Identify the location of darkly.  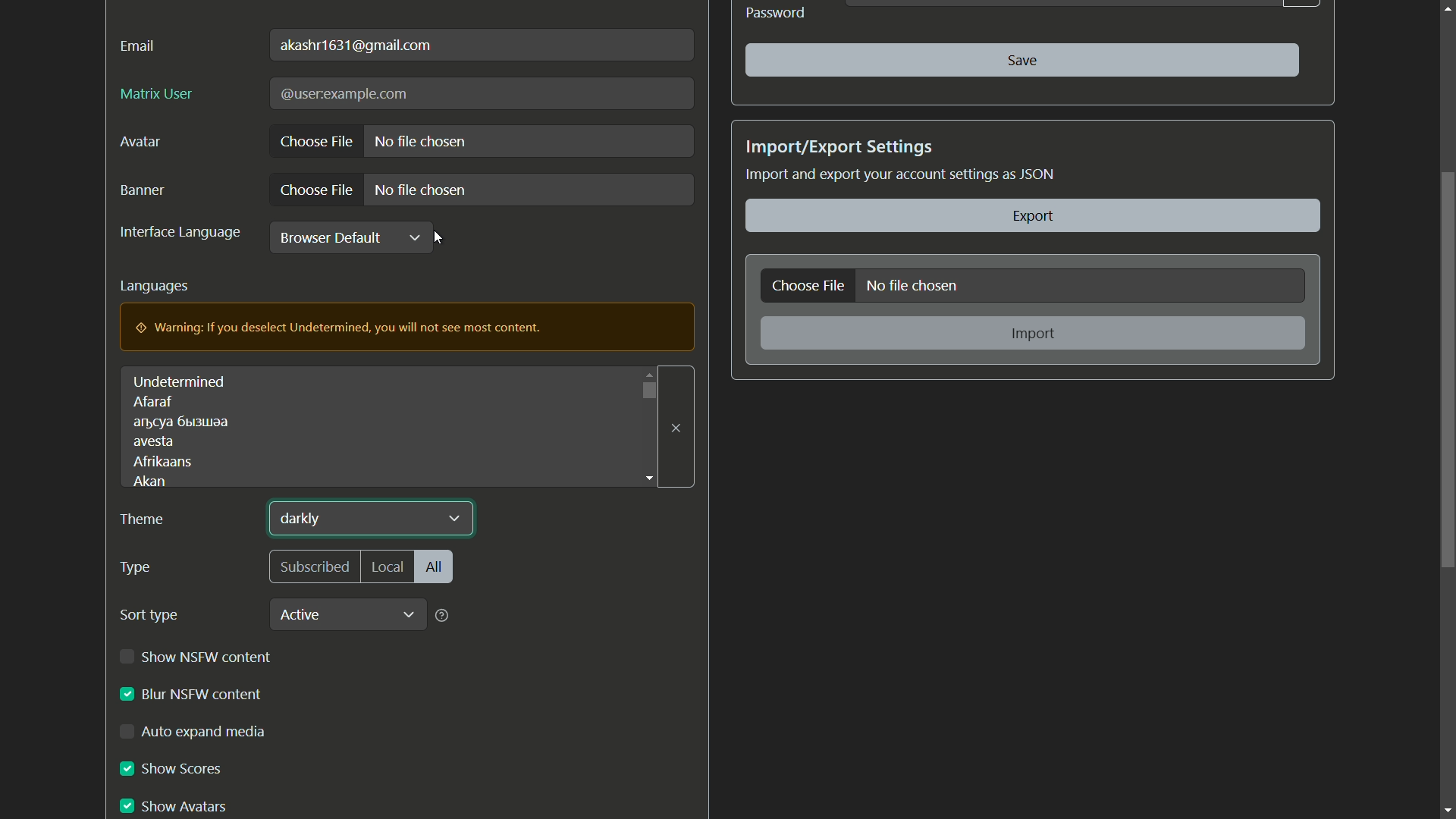
(302, 519).